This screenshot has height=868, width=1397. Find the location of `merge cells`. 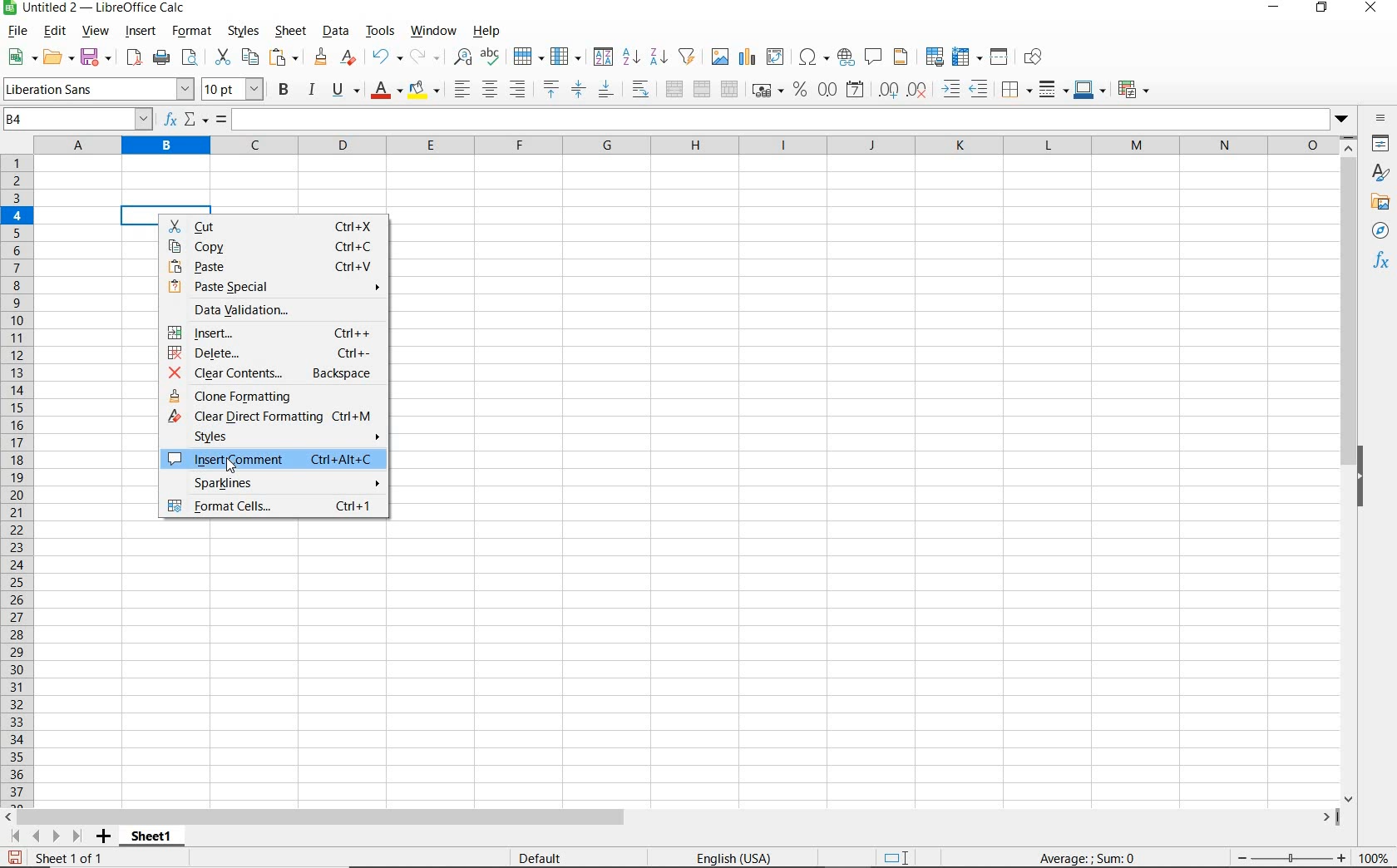

merge cells is located at coordinates (703, 89).